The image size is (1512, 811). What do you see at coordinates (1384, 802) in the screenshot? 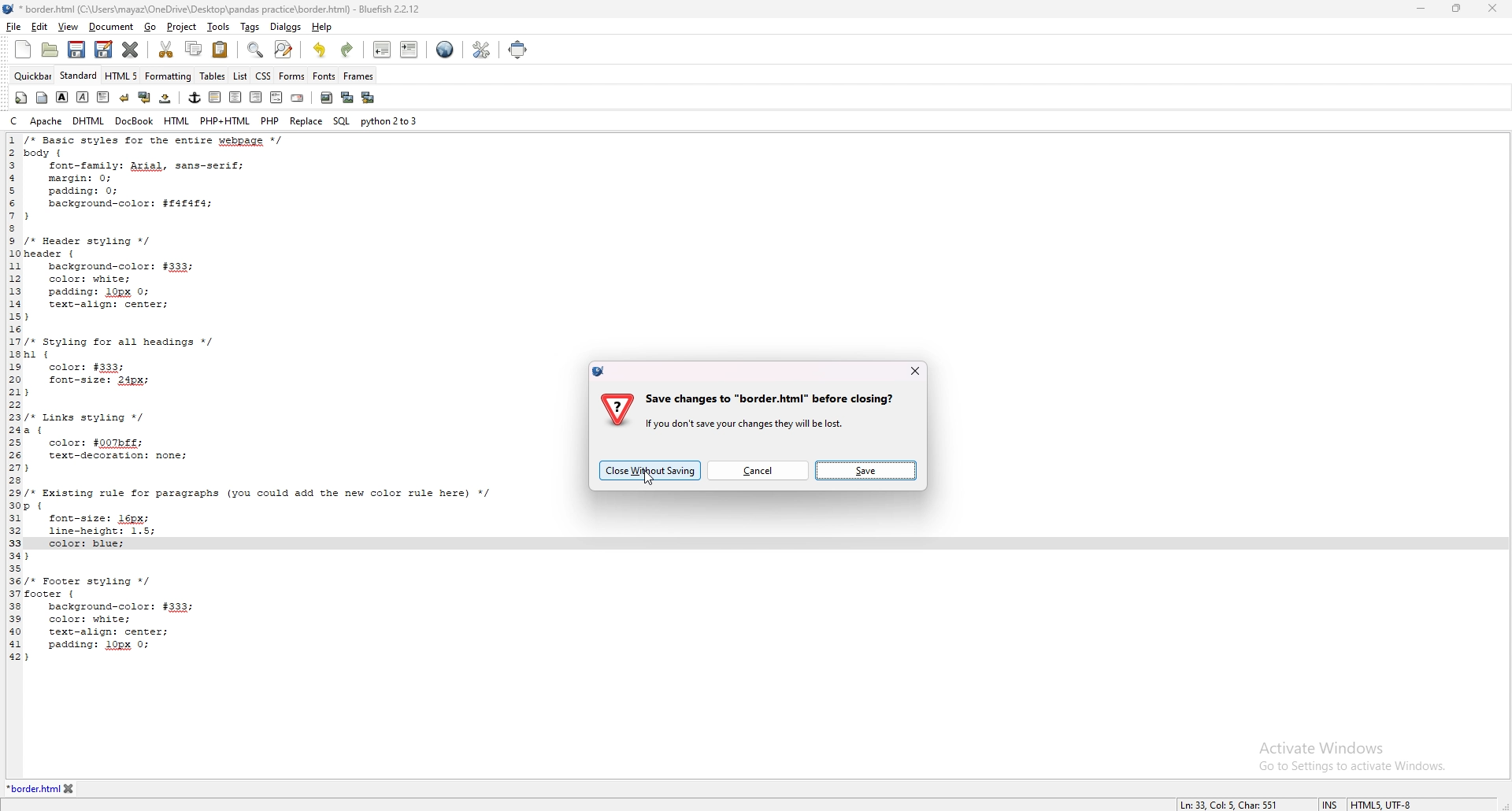
I see `encoding` at bounding box center [1384, 802].